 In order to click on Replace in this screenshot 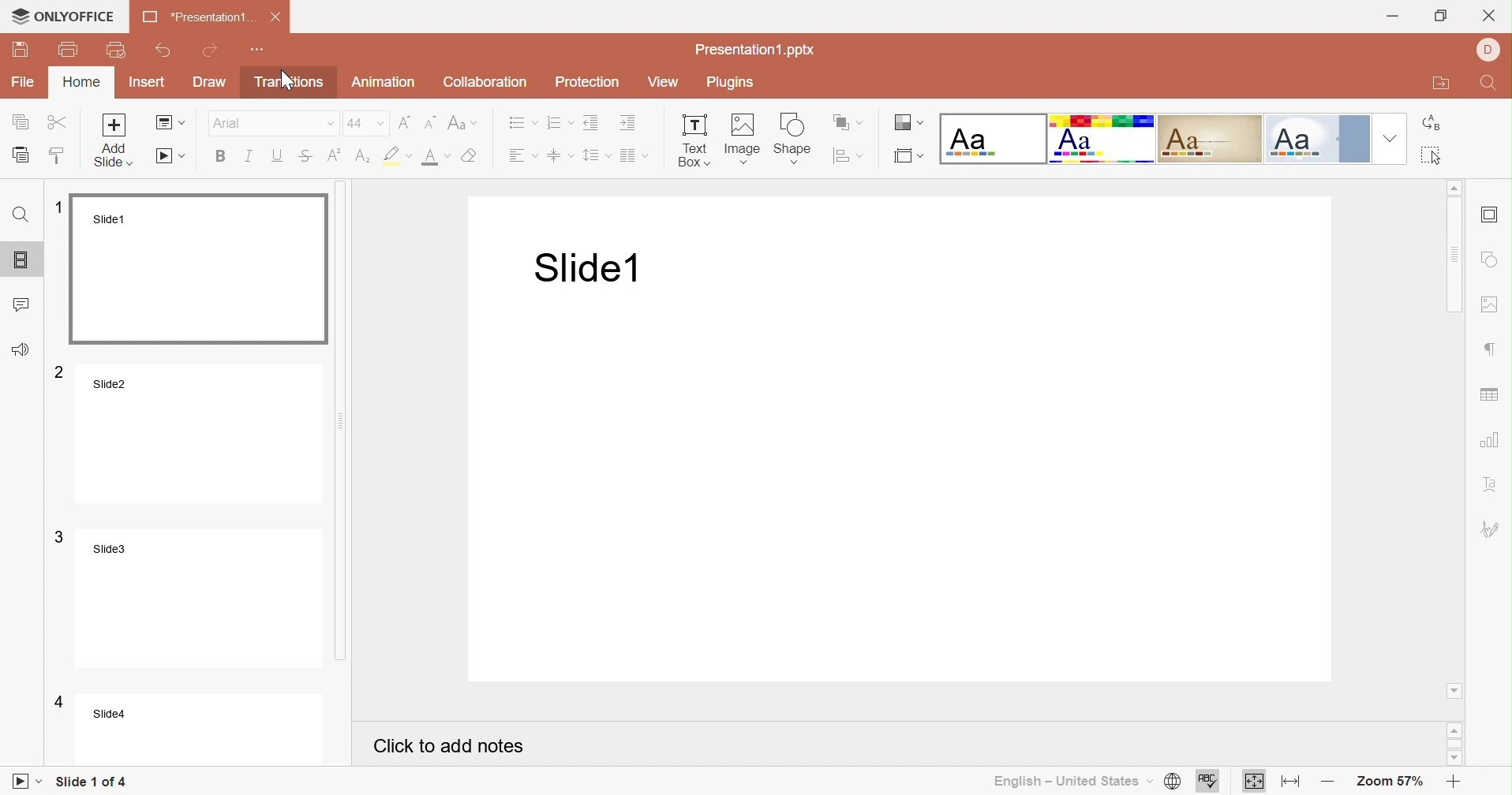, I will do `click(1435, 123)`.